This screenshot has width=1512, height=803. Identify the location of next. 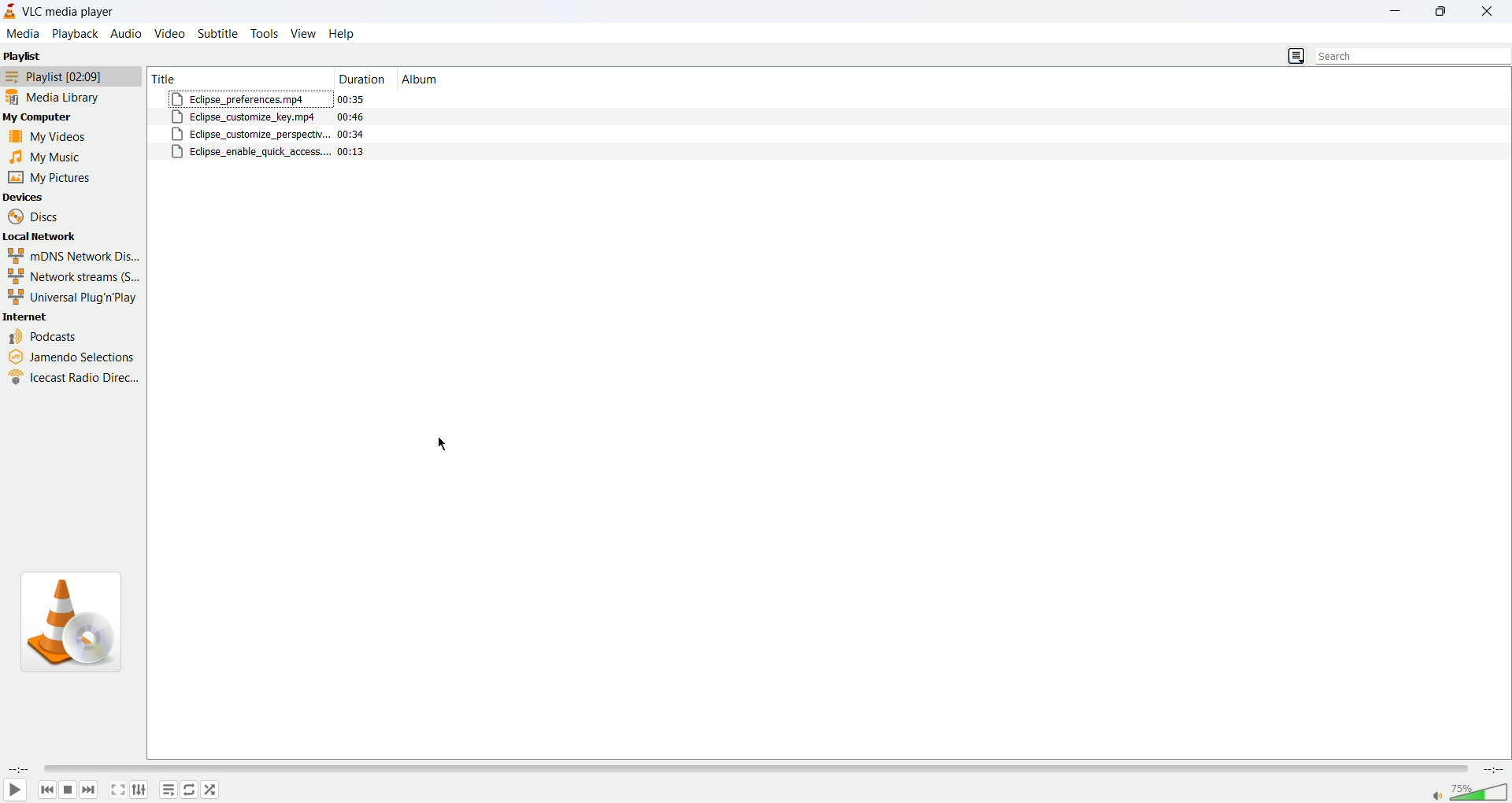
(88, 790).